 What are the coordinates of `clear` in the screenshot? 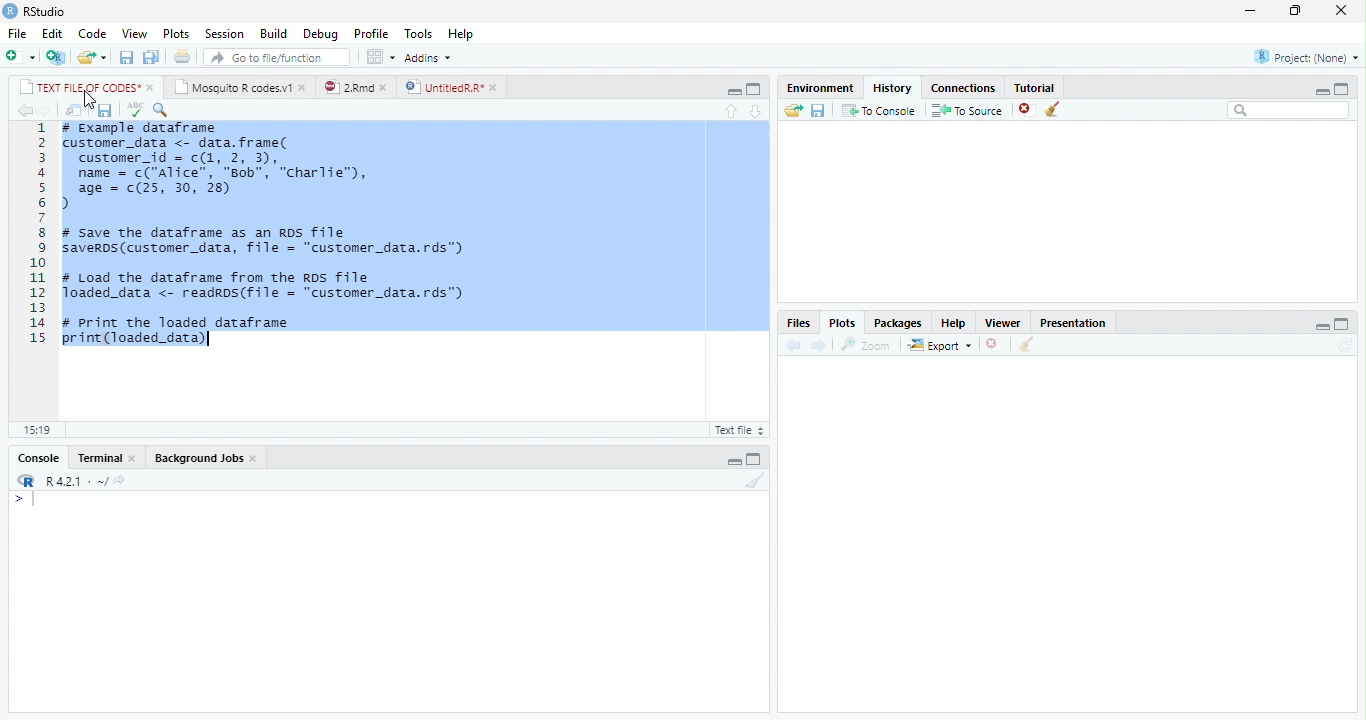 It's located at (1053, 109).